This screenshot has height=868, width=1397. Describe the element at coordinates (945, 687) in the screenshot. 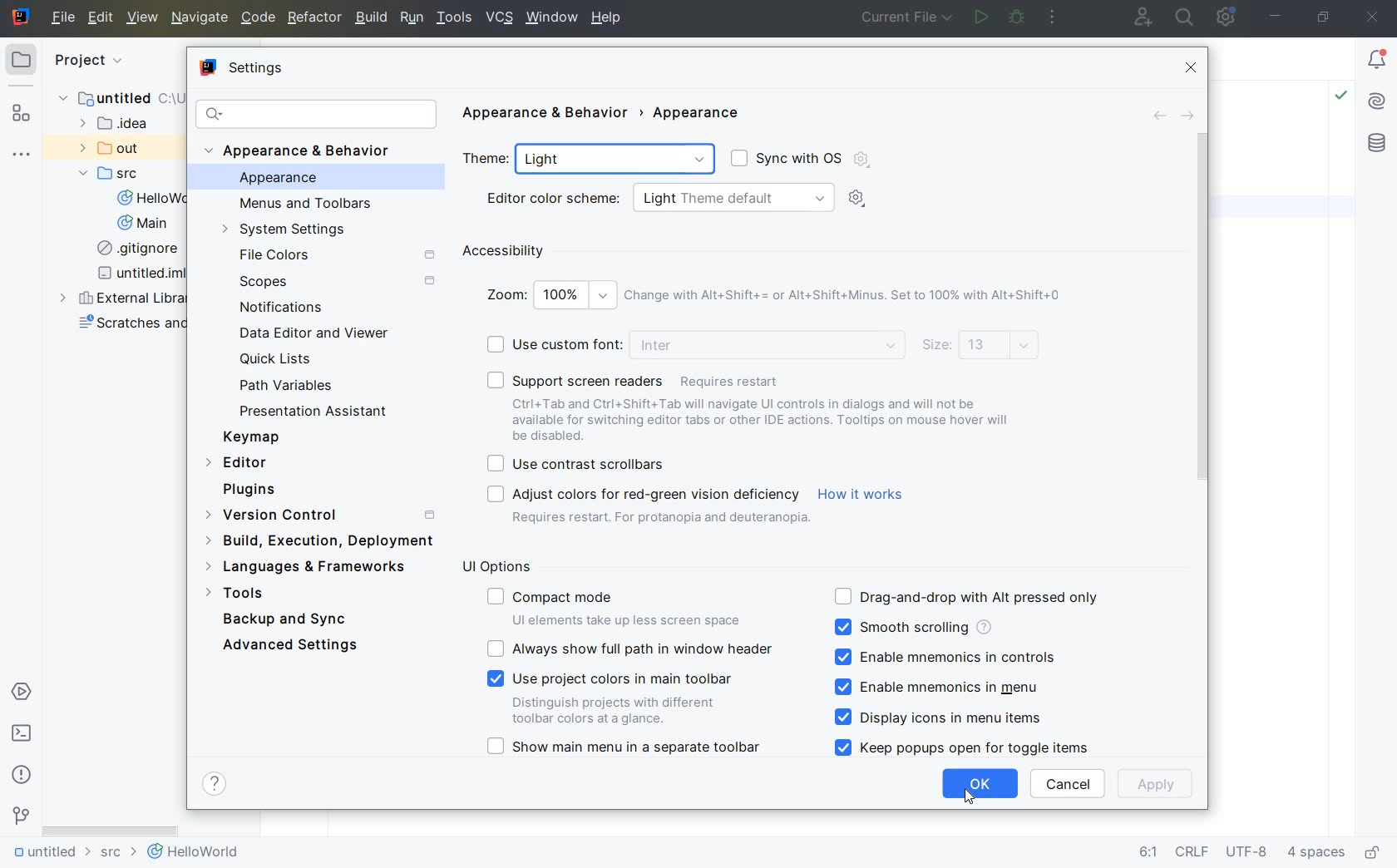

I see `enable mnemonics in menu(checked)` at that location.